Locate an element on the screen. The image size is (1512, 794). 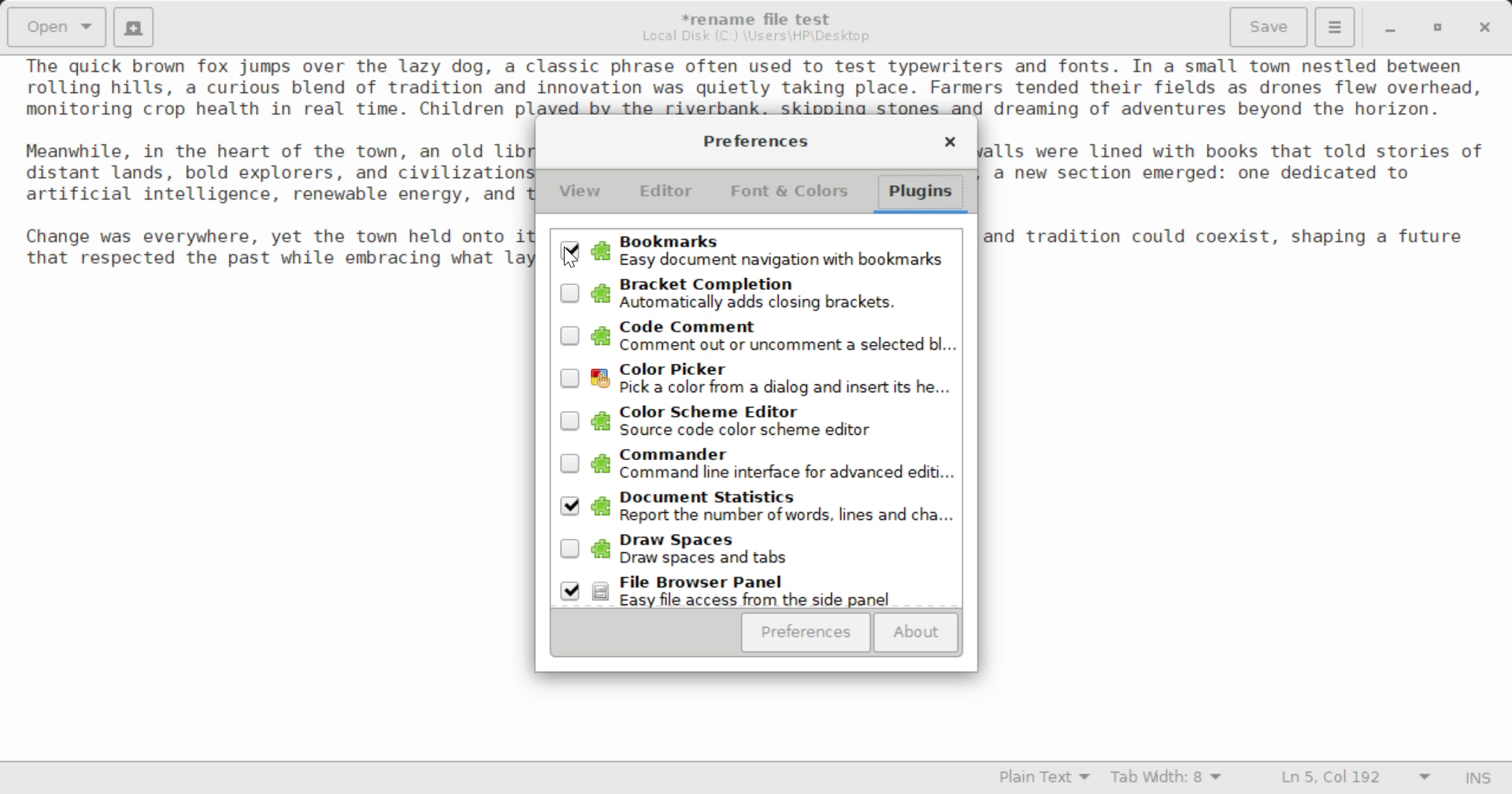
Tab Width  is located at coordinates (1169, 779).